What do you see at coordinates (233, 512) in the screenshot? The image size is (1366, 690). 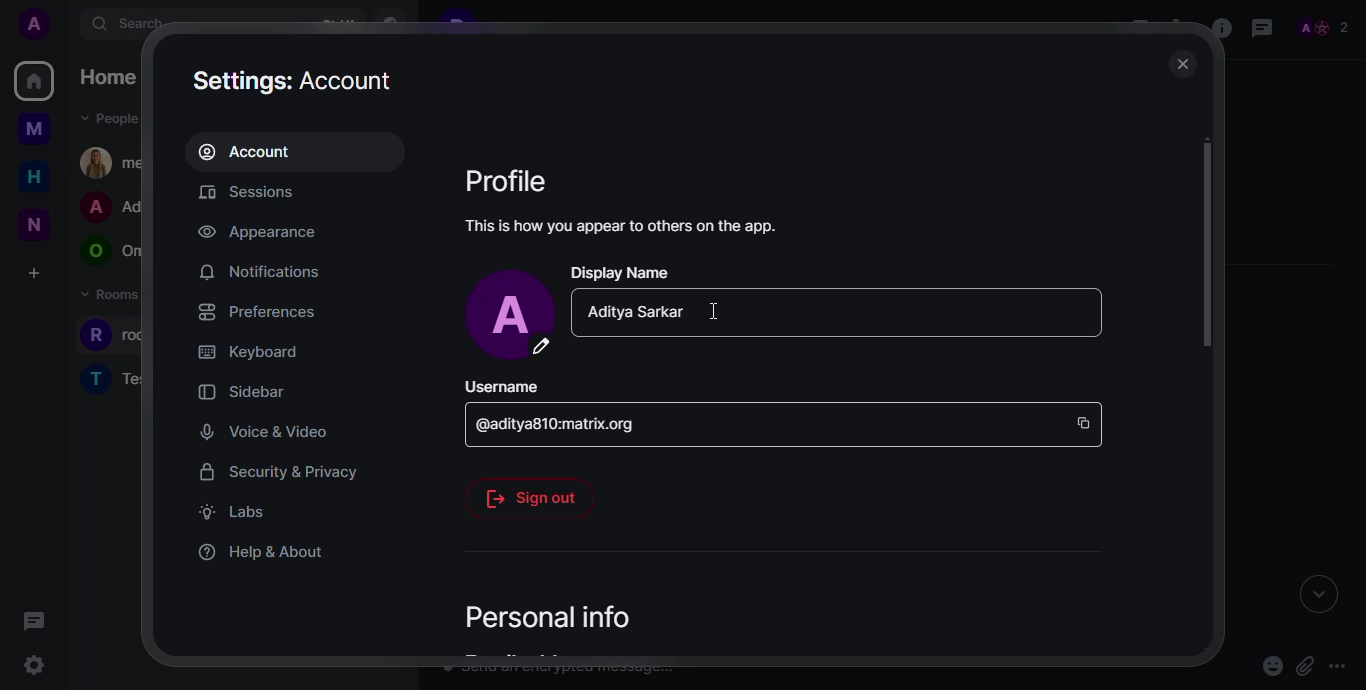 I see `labs` at bounding box center [233, 512].